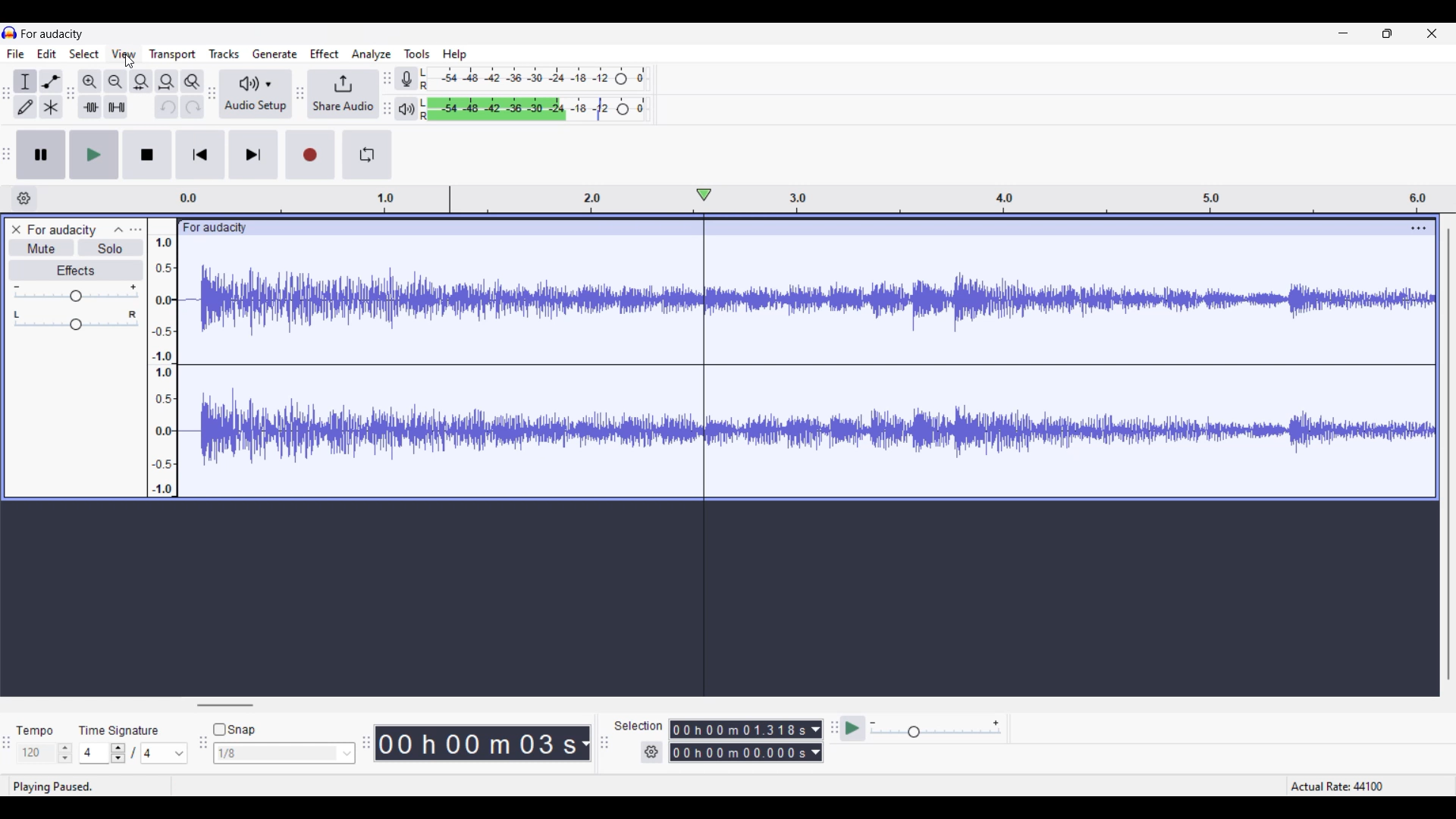 Image resolution: width=1456 pixels, height=819 pixels. What do you see at coordinates (94, 155) in the screenshot?
I see `Play/Play once` at bounding box center [94, 155].